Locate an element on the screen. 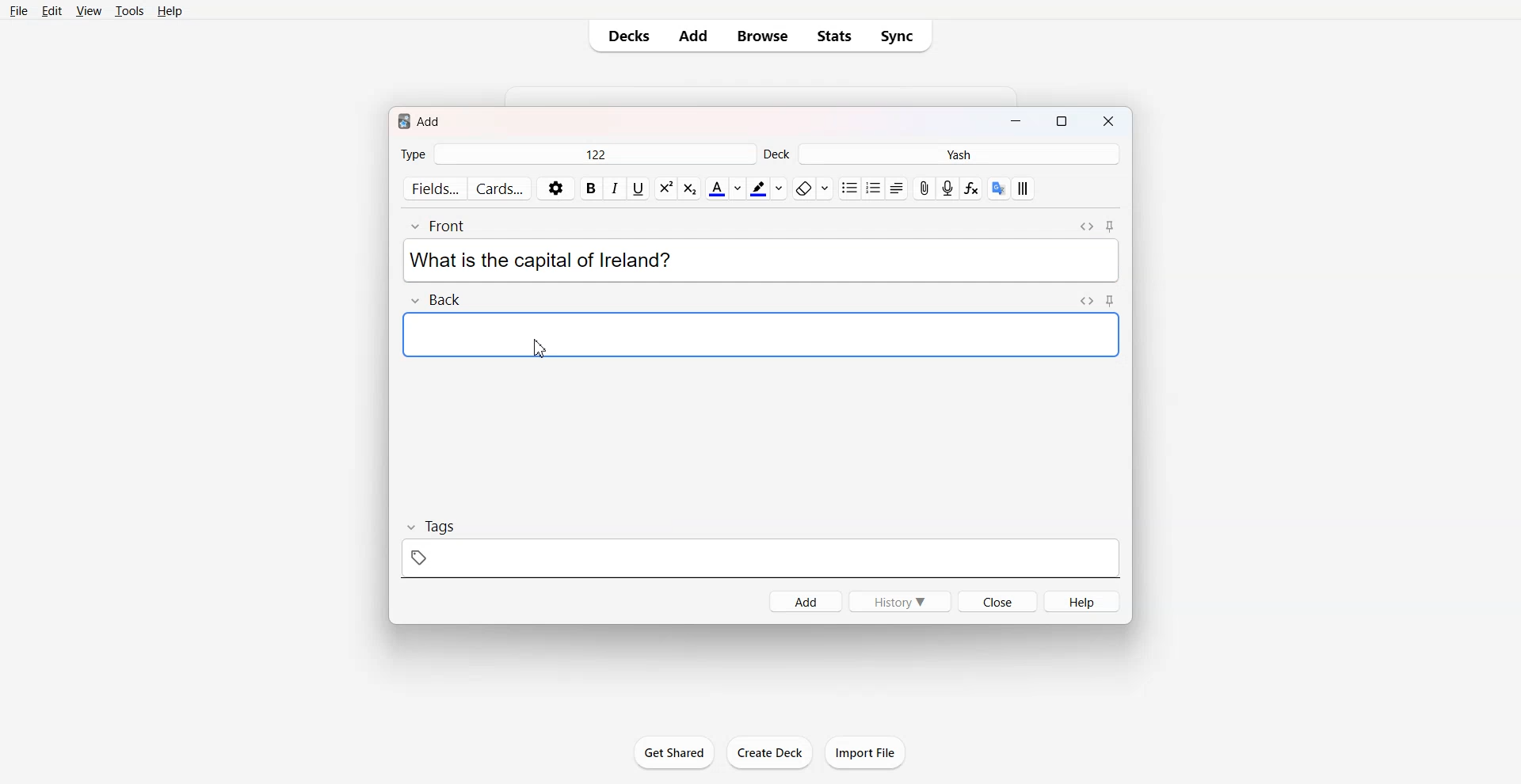  Add is located at coordinates (693, 36).